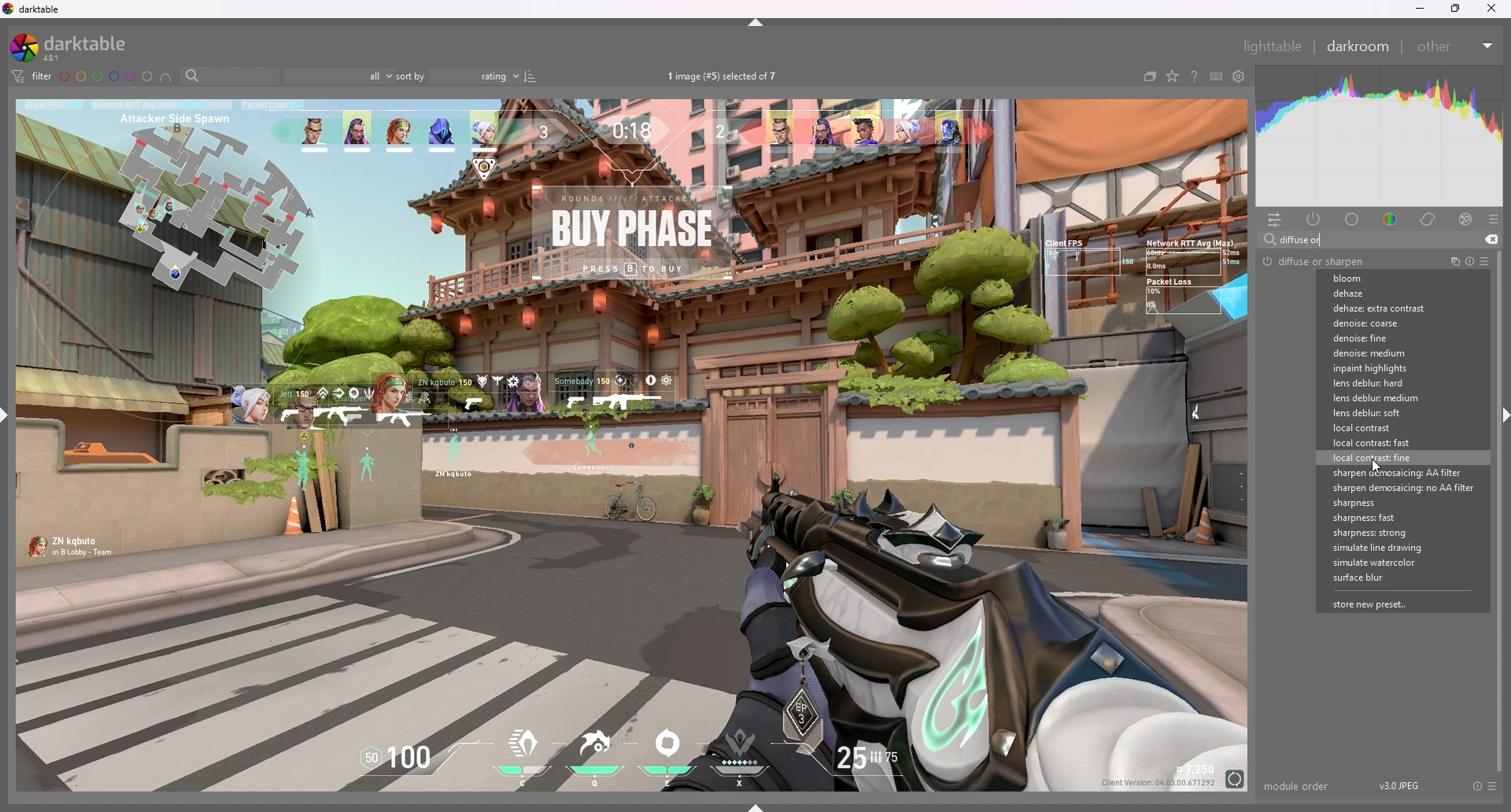 The image size is (1511, 812). What do you see at coordinates (1491, 239) in the screenshot?
I see `cut input` at bounding box center [1491, 239].